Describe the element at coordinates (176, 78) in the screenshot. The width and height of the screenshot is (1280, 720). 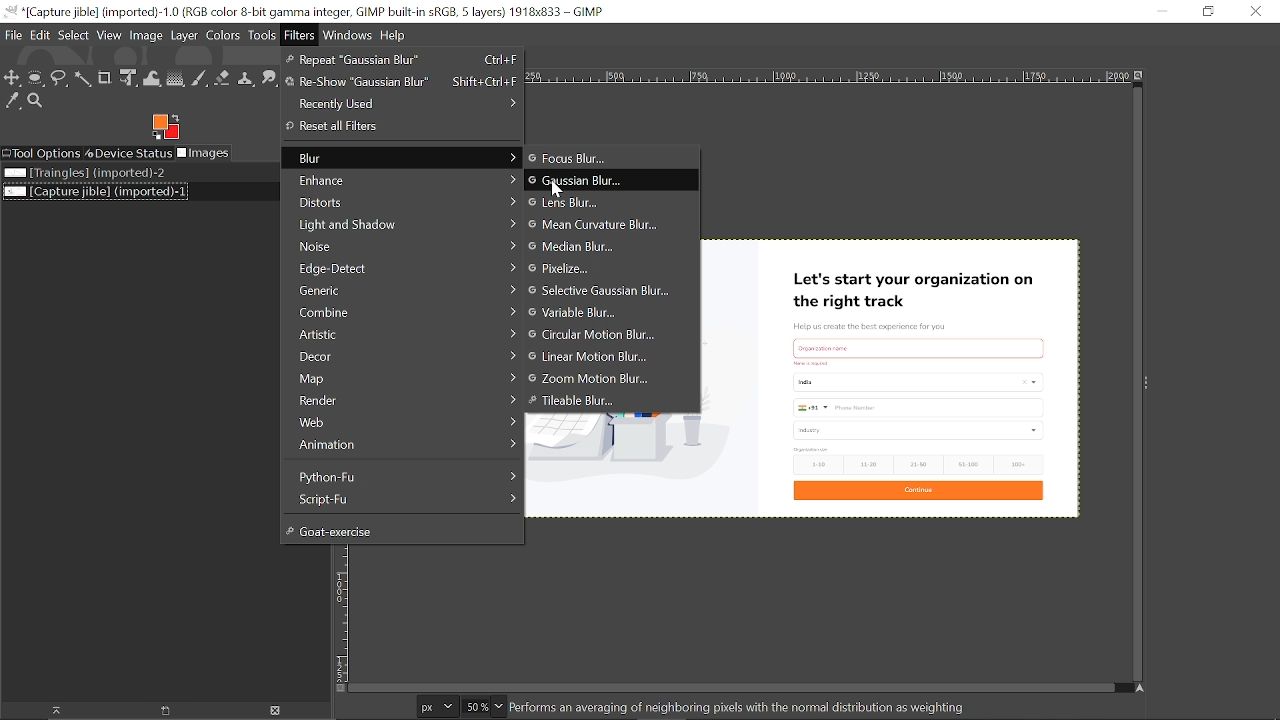
I see `Gradient tool` at that location.